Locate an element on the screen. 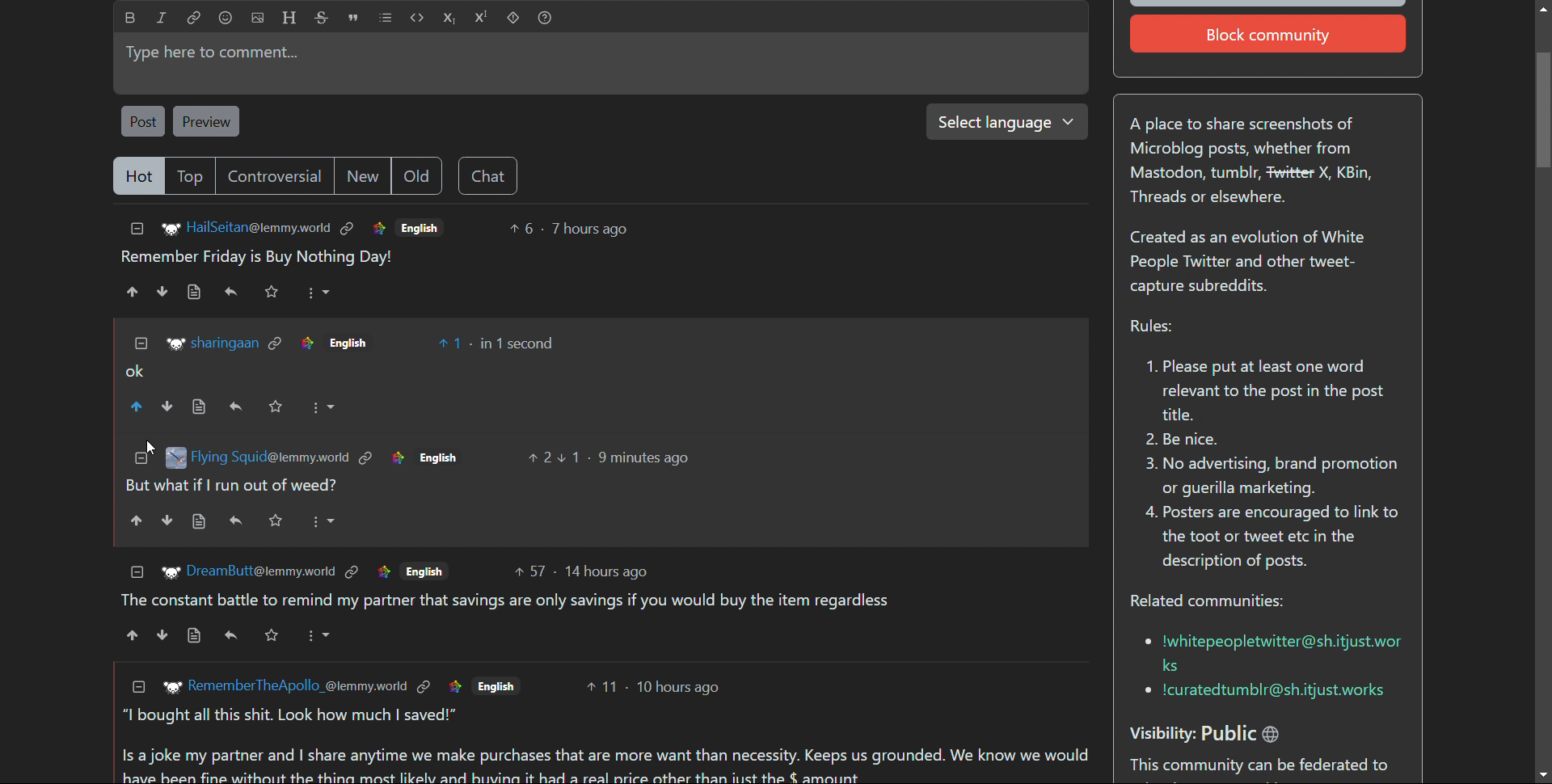 This screenshot has width=1552, height=784. Favorite is located at coordinates (276, 639).